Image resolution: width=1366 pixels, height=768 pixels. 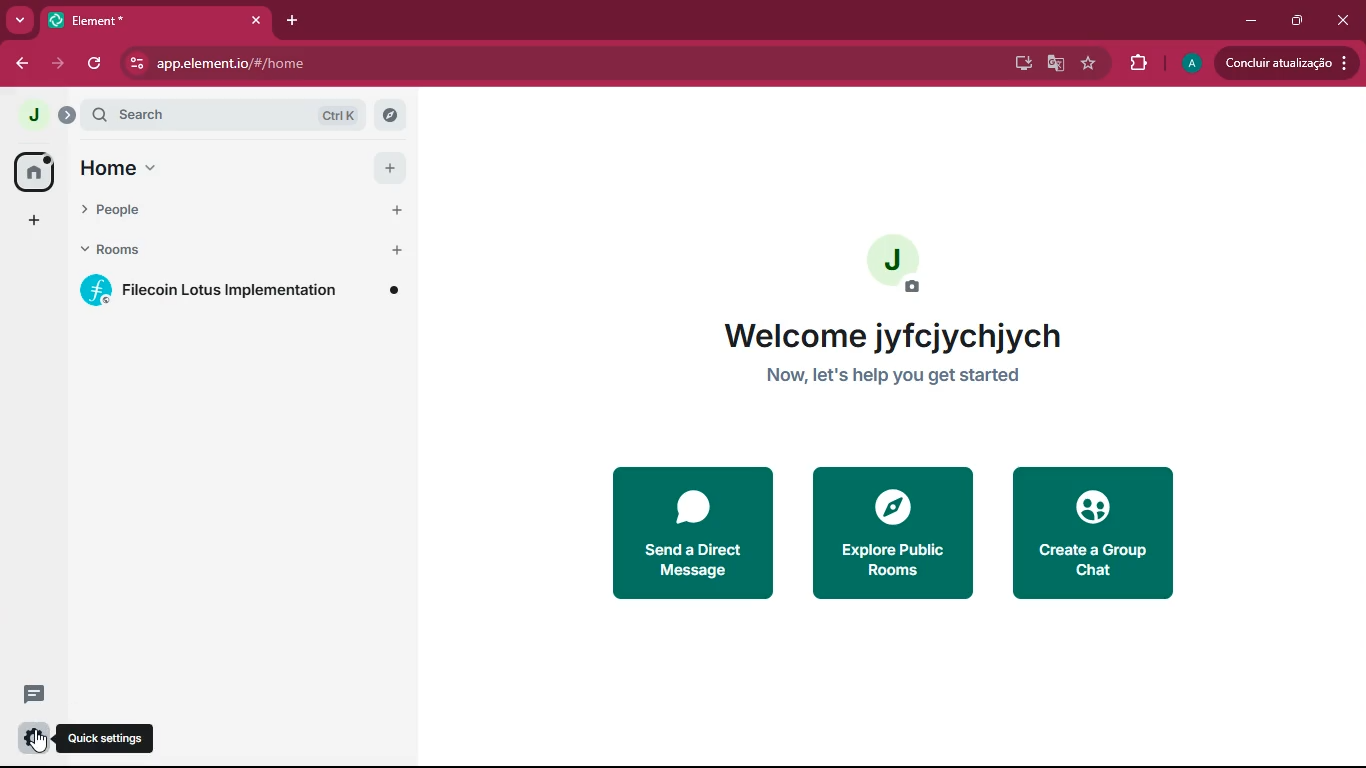 What do you see at coordinates (34, 693) in the screenshot?
I see `message` at bounding box center [34, 693].